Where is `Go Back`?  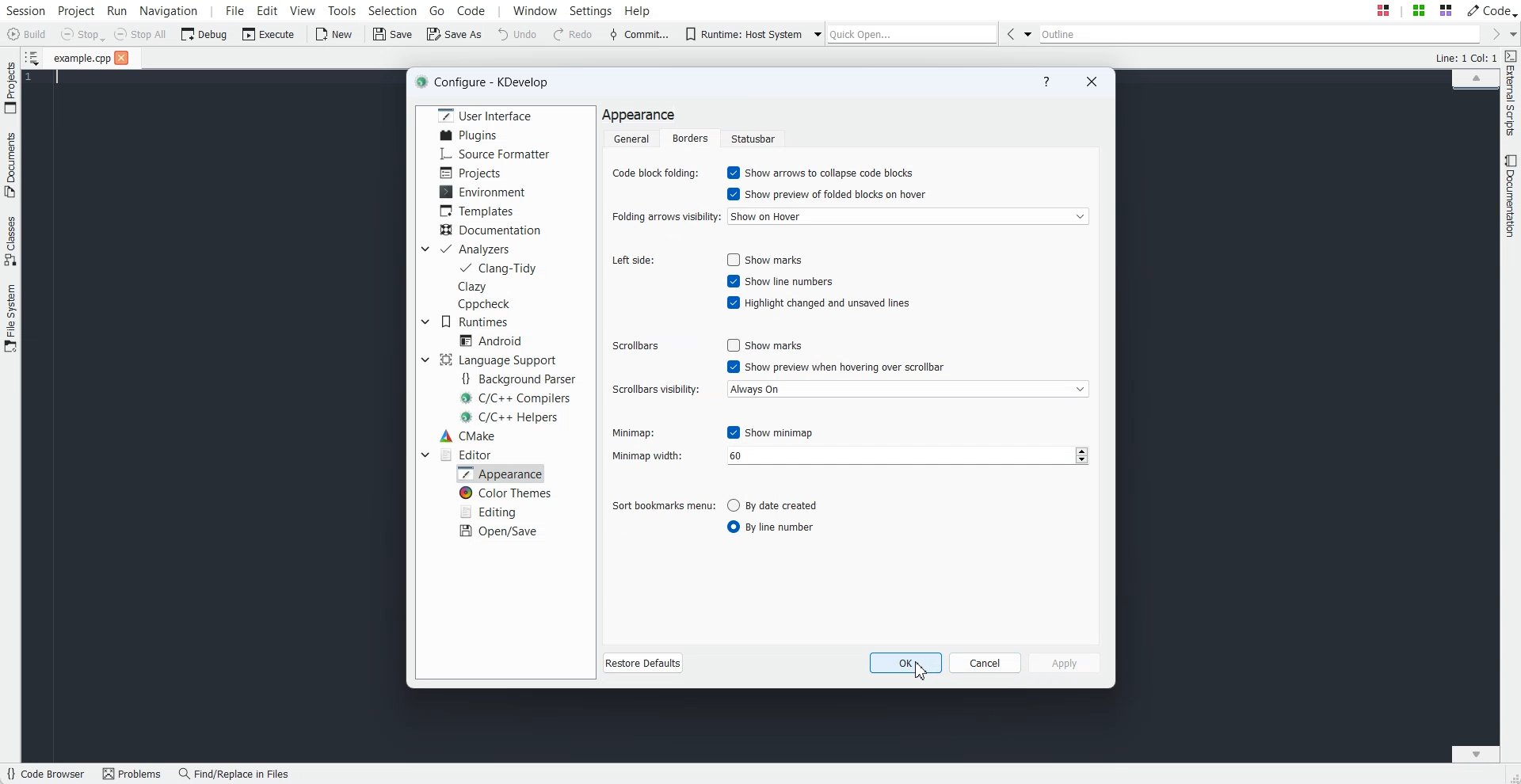
Go Back is located at coordinates (1009, 33).